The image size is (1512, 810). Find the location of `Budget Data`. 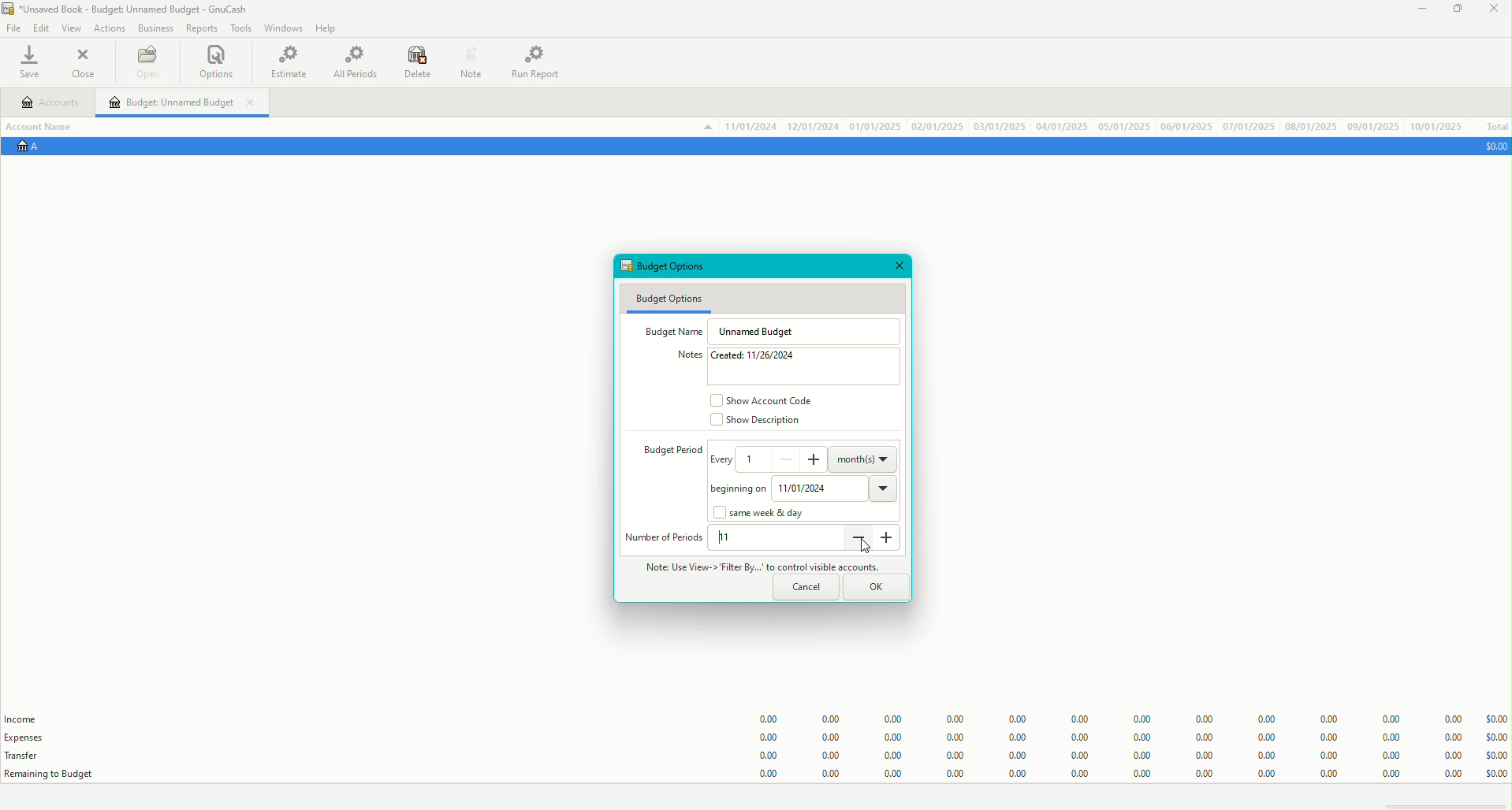

Budget Data is located at coordinates (1117, 740).